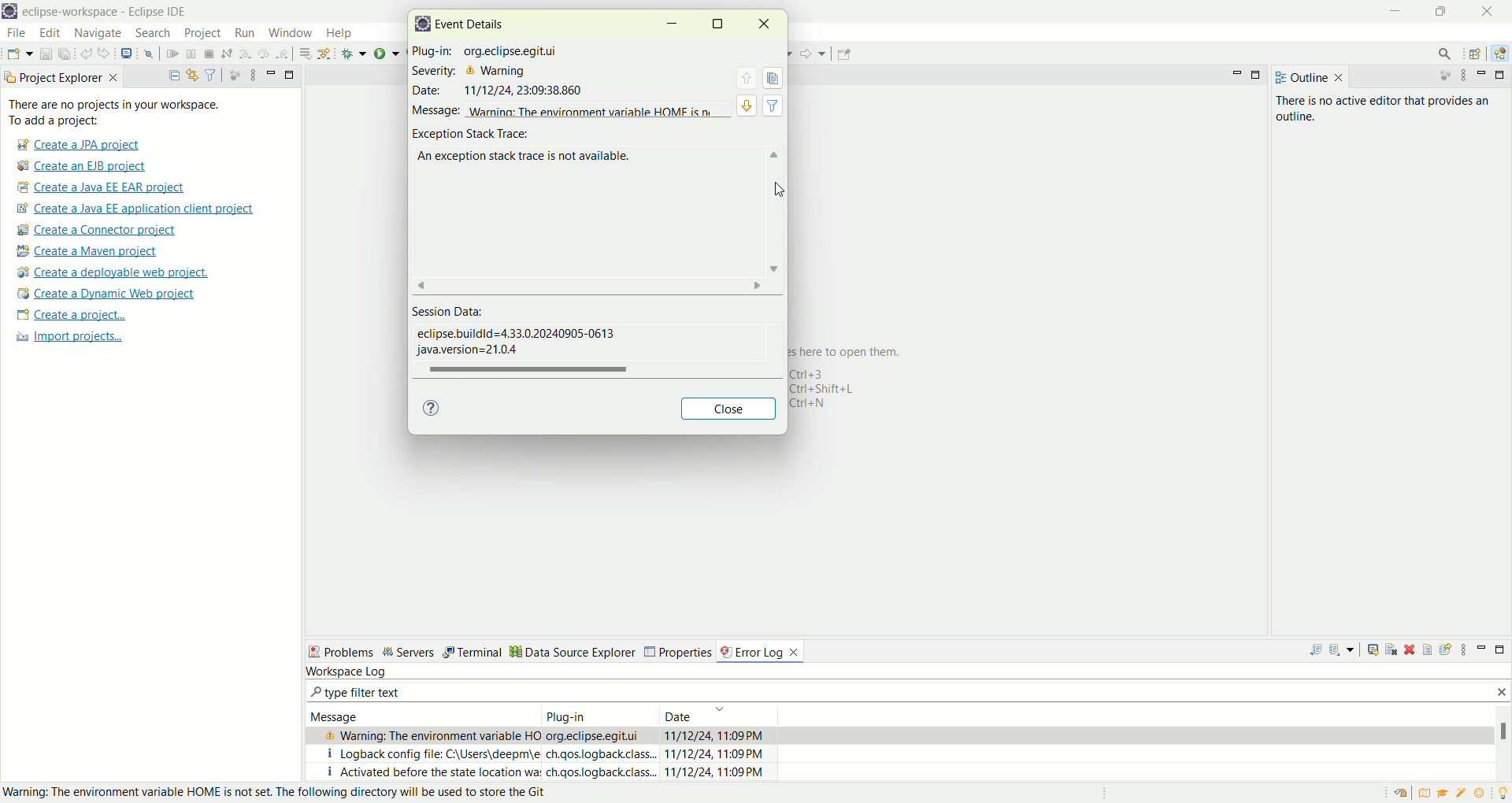  Describe the element at coordinates (113, 272) in the screenshot. I see `create a deployable web project` at that location.